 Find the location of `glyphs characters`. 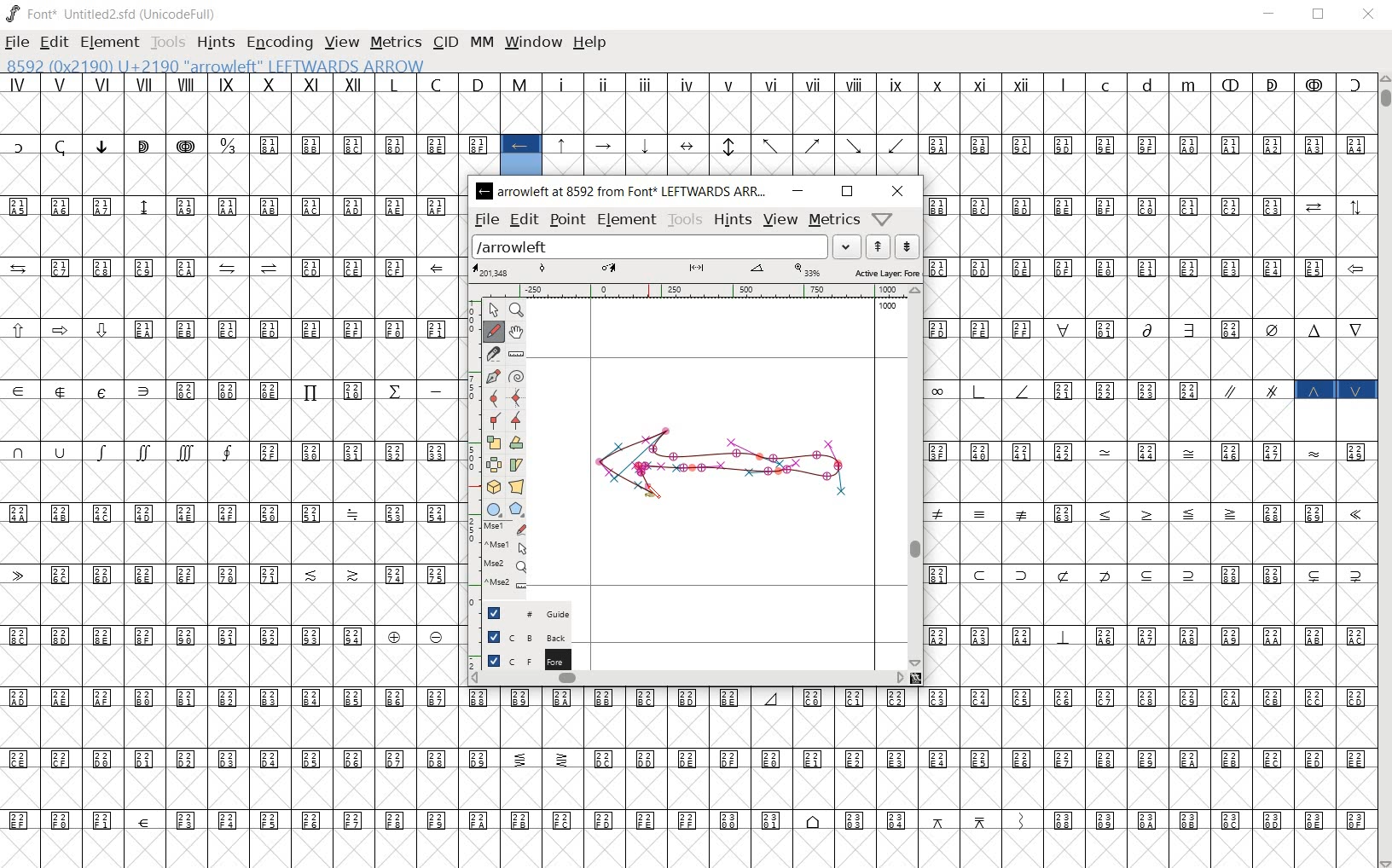

glyphs characters is located at coordinates (1149, 466).